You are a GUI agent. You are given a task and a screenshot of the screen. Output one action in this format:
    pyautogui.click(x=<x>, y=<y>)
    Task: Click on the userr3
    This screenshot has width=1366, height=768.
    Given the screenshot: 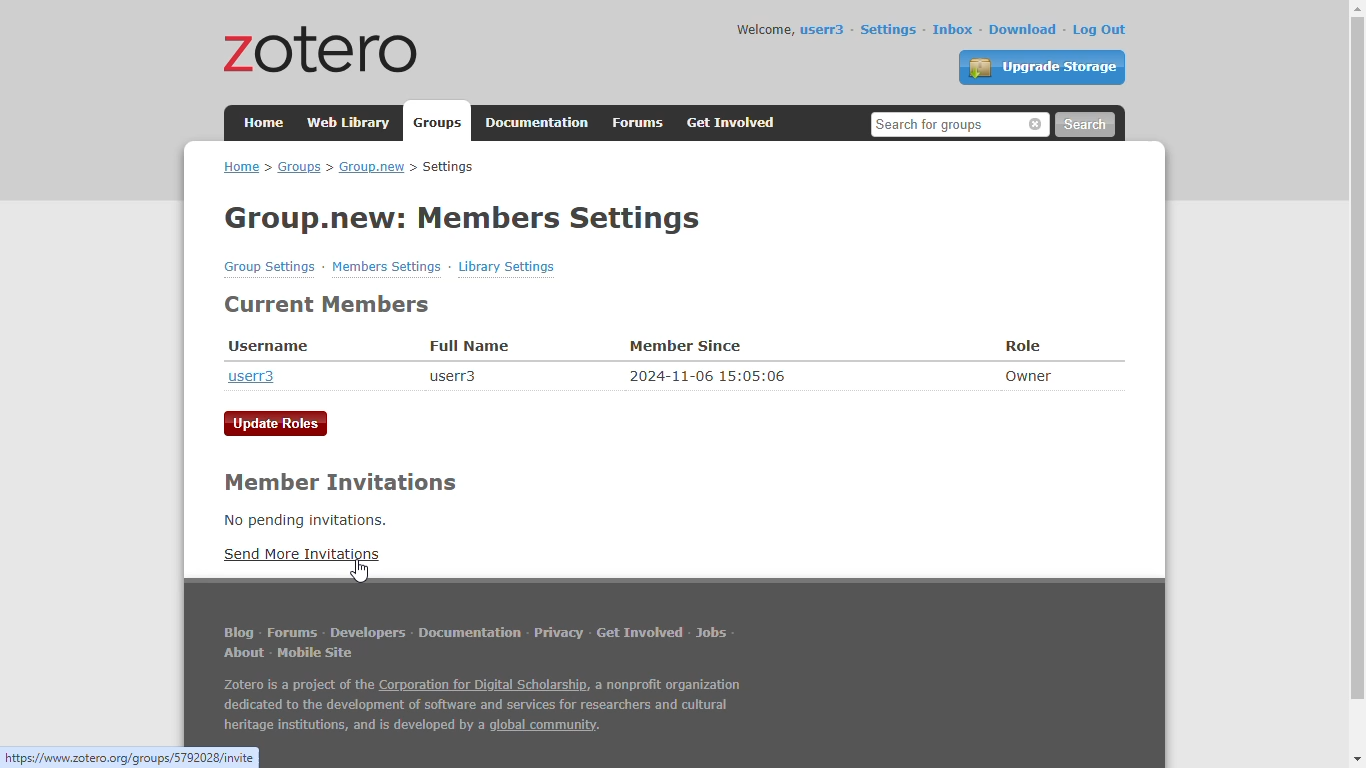 What is the action you would take?
    pyautogui.click(x=823, y=30)
    